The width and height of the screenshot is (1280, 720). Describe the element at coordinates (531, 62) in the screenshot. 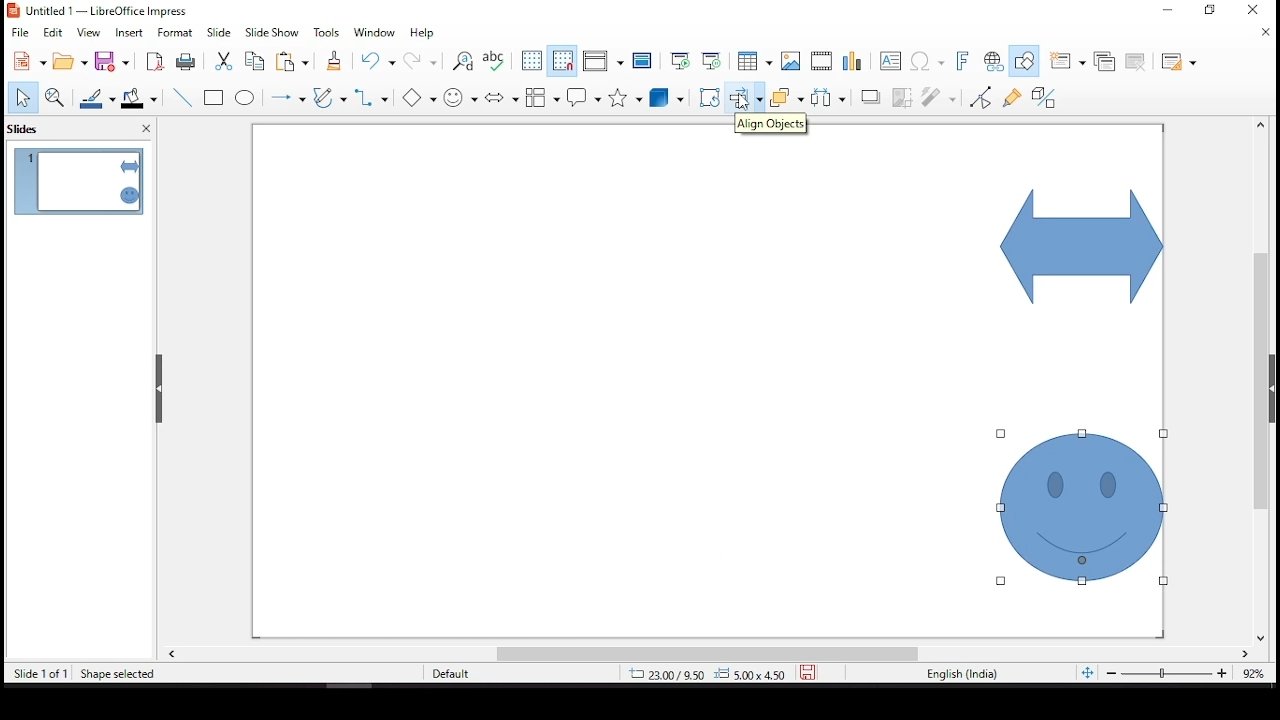

I see `display grid` at that location.